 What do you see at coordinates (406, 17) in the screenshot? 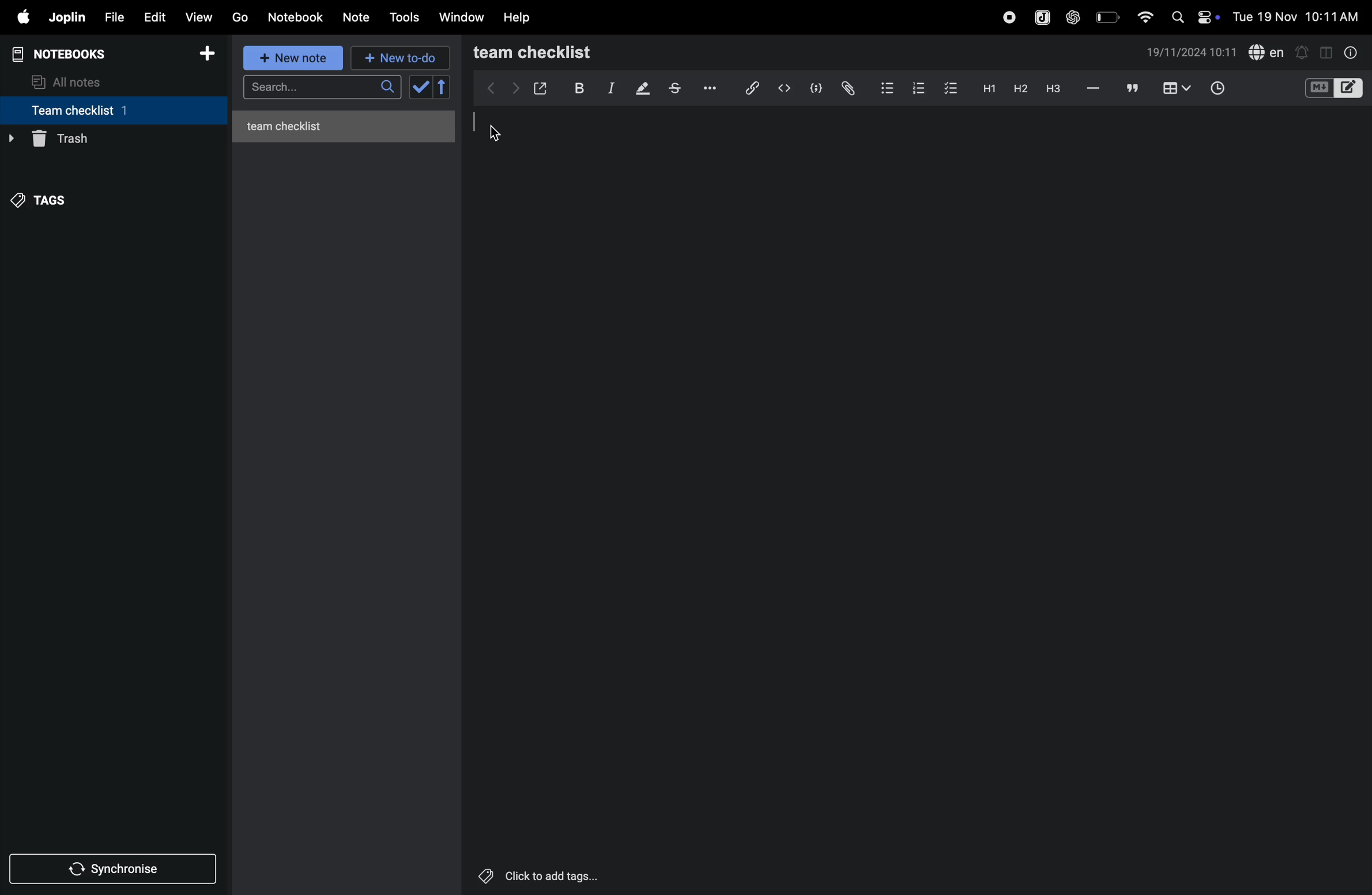
I see `tools` at bounding box center [406, 17].